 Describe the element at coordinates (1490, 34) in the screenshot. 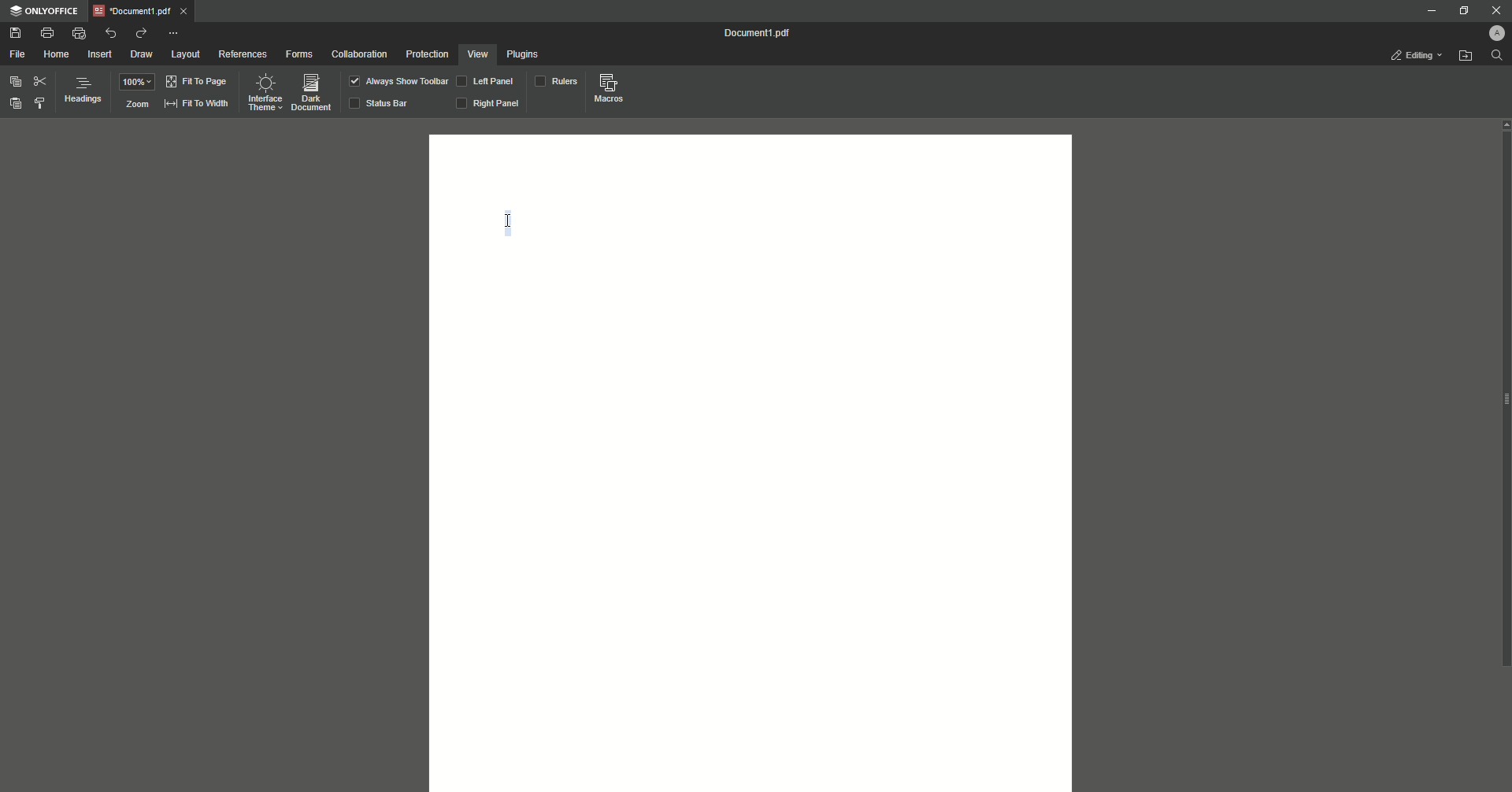

I see `Profile` at that location.